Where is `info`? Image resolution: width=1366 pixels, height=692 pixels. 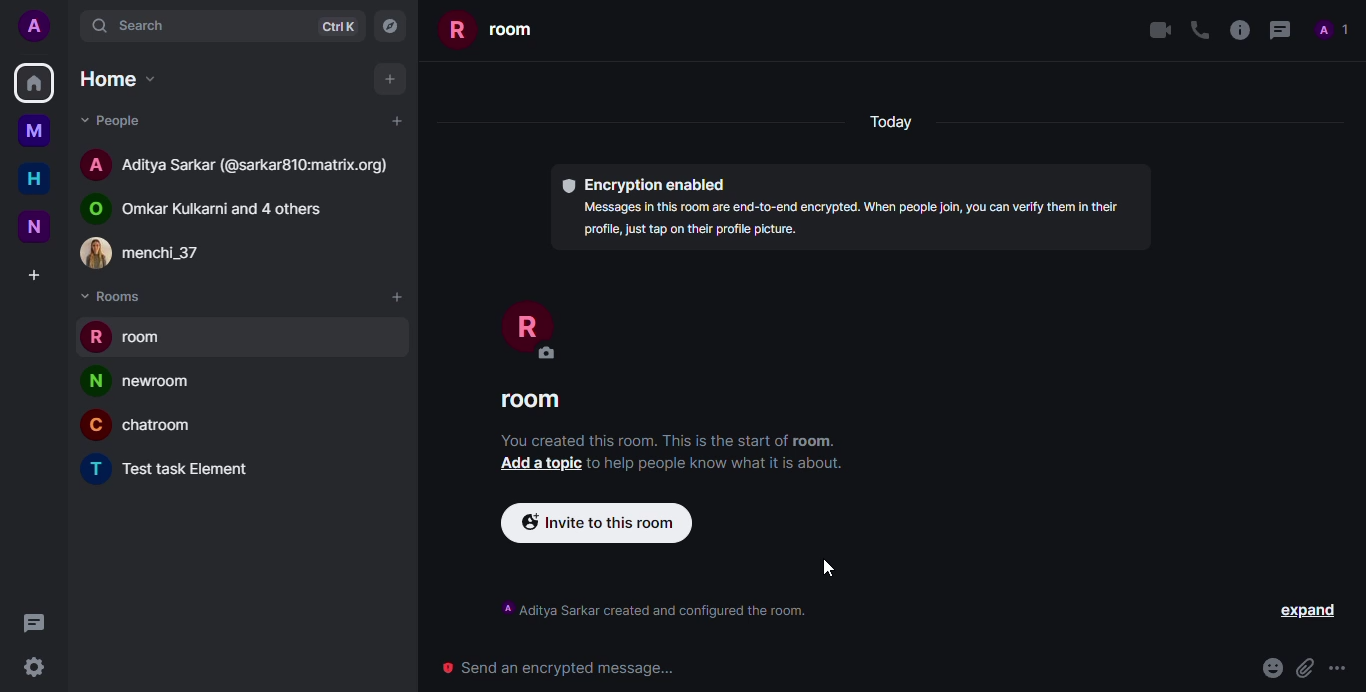
info is located at coordinates (719, 463).